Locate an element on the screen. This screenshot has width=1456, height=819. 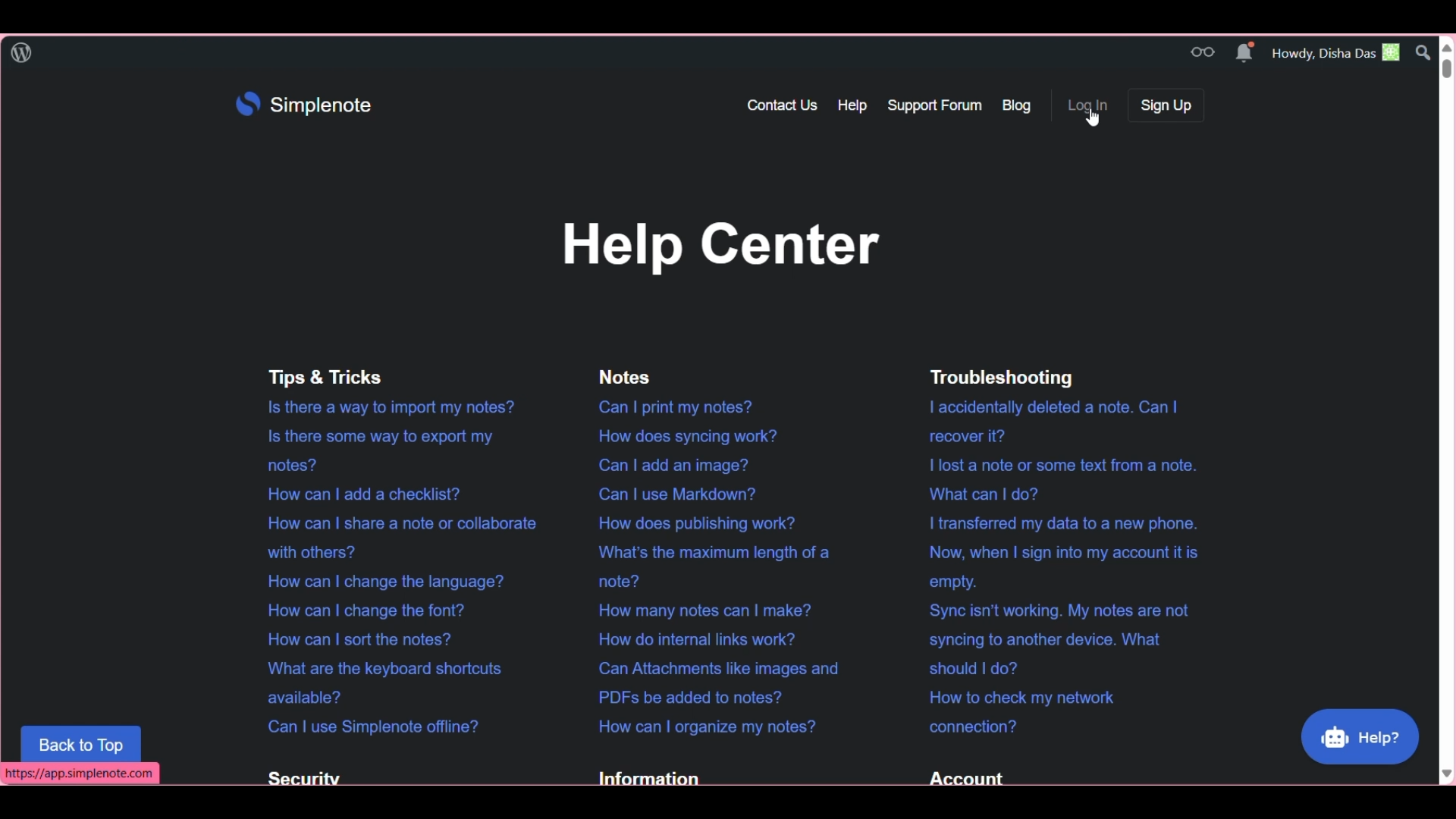
Help chatbot is located at coordinates (1360, 736).